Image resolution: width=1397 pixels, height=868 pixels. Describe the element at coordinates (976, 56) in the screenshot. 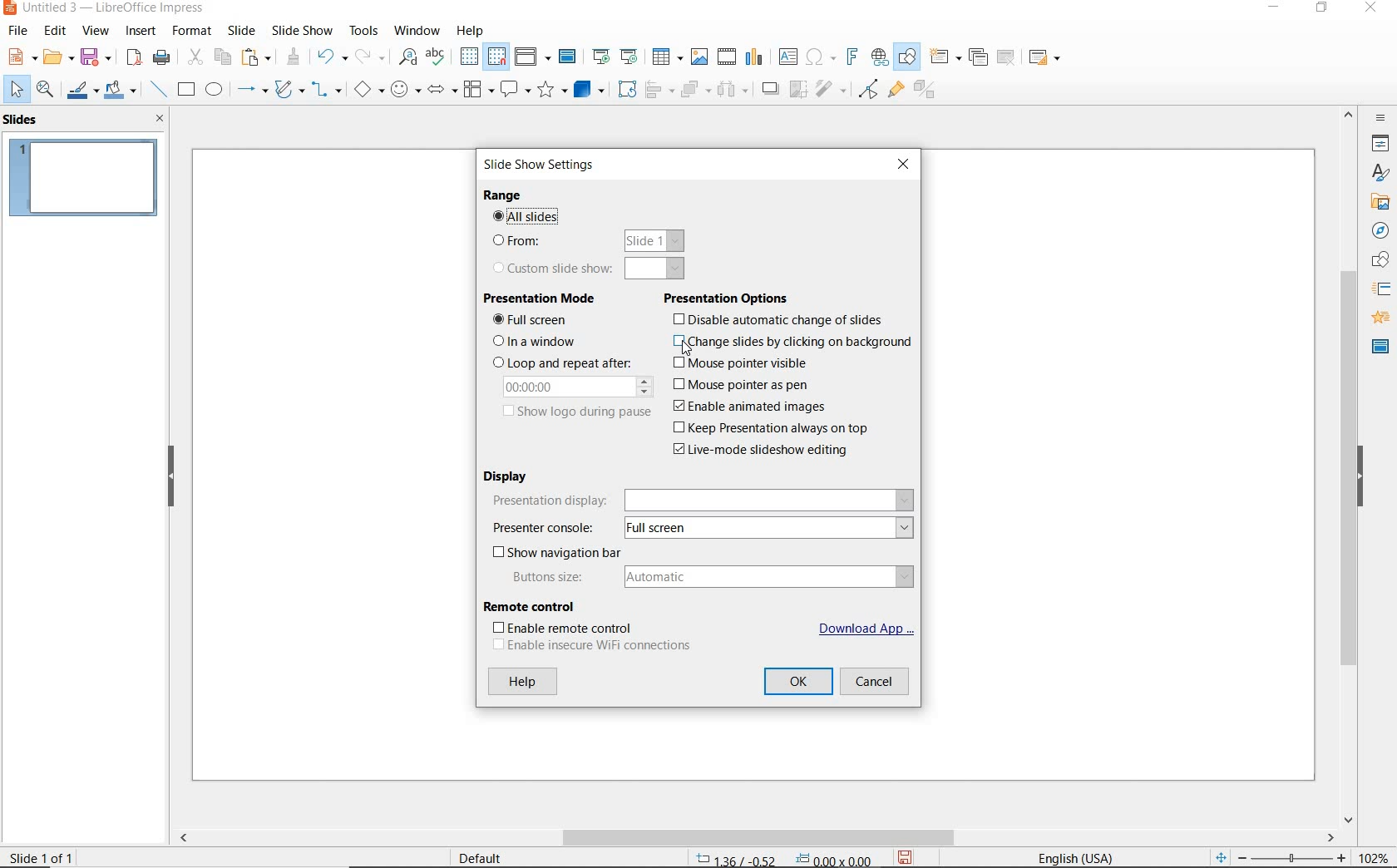

I see `DUPLICATE SLIDE` at that location.